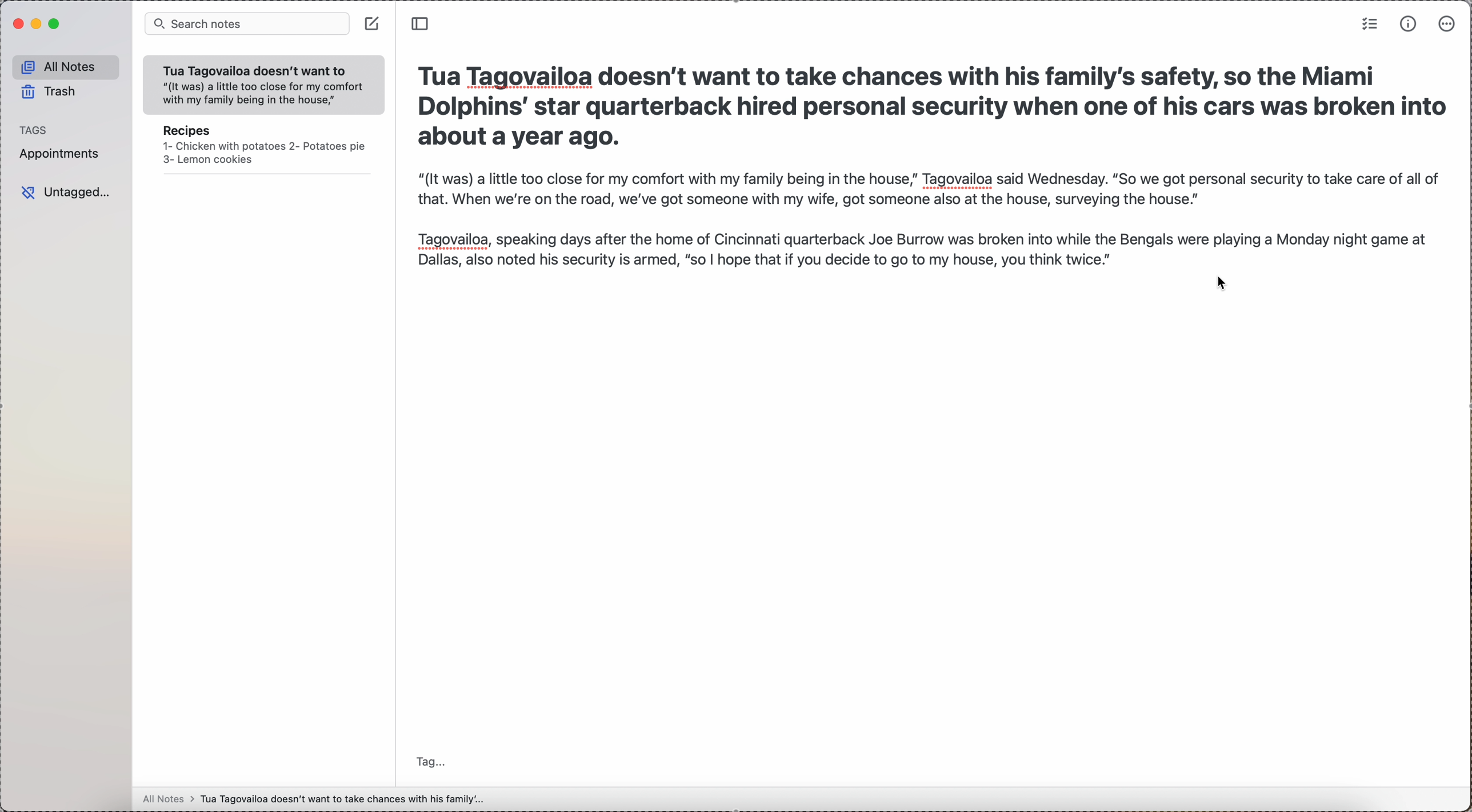 The image size is (1472, 812). What do you see at coordinates (422, 25) in the screenshot?
I see `toggle sidebar` at bounding box center [422, 25].